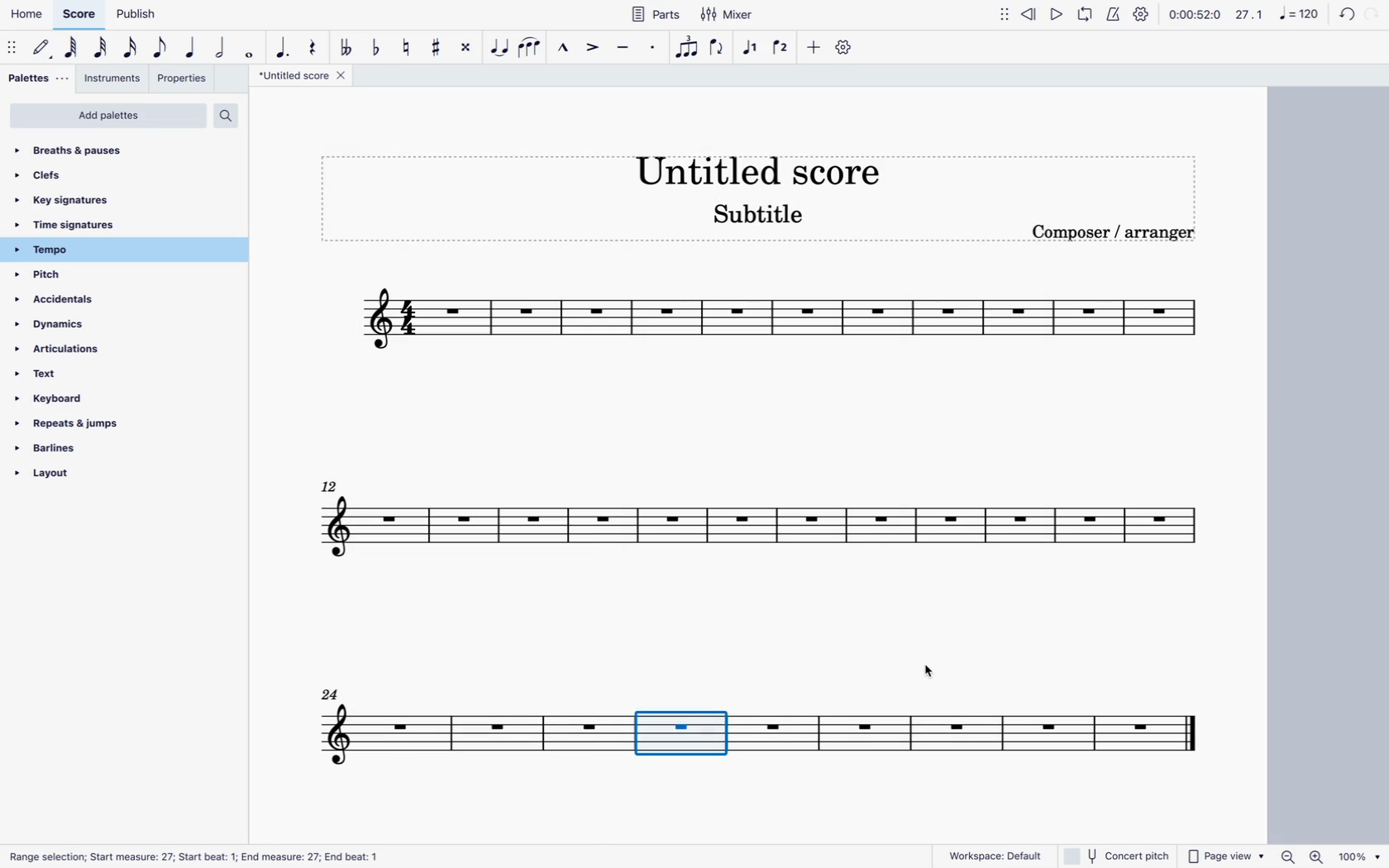  I want to click on composer / arranger, so click(1119, 230).